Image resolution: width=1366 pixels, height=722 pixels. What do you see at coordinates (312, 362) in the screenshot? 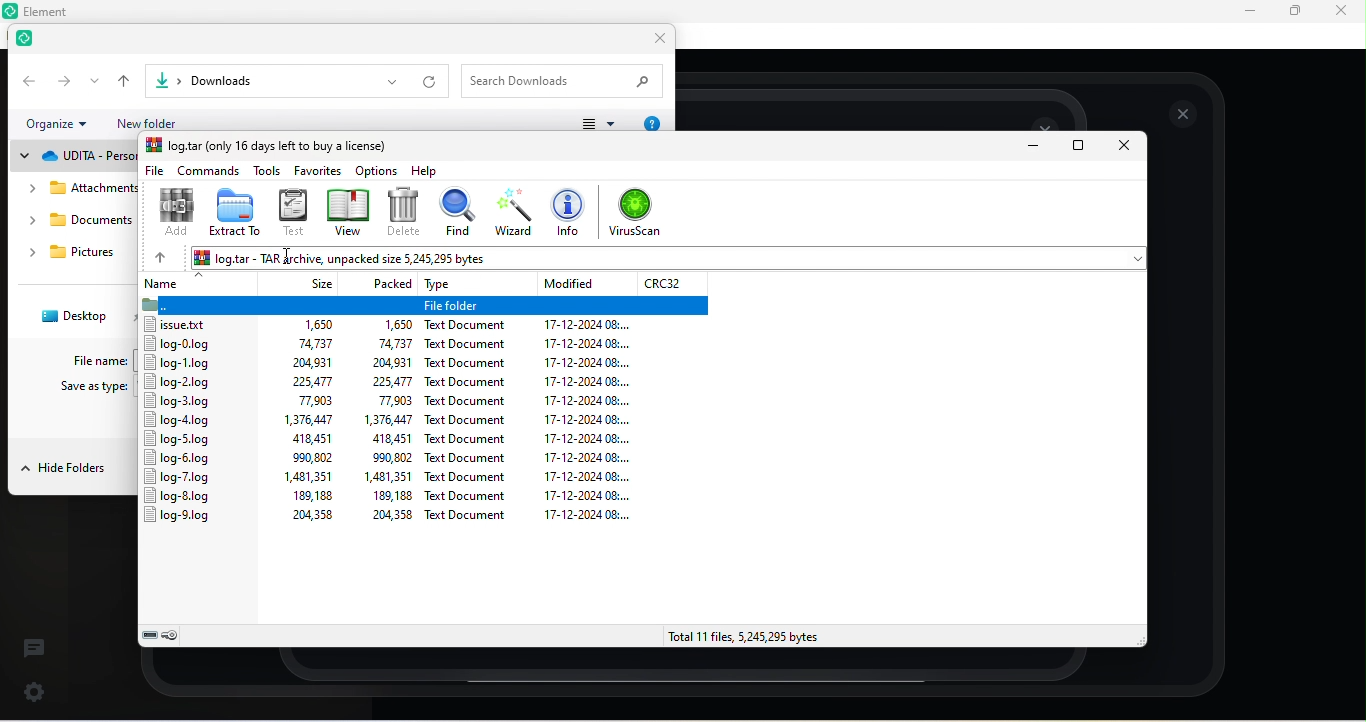
I see `204,931` at bounding box center [312, 362].